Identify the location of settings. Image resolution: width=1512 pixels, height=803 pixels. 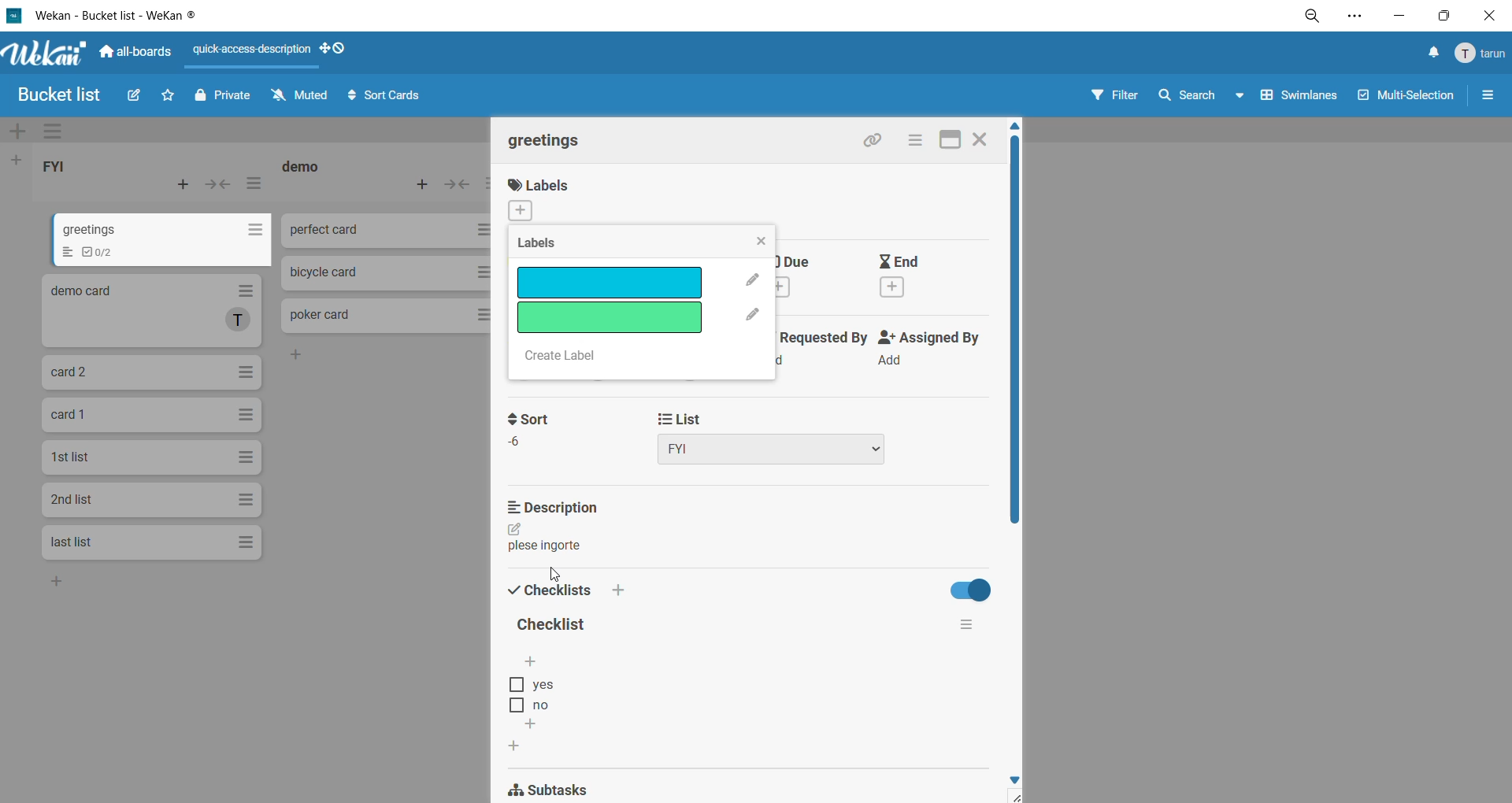
(1357, 19).